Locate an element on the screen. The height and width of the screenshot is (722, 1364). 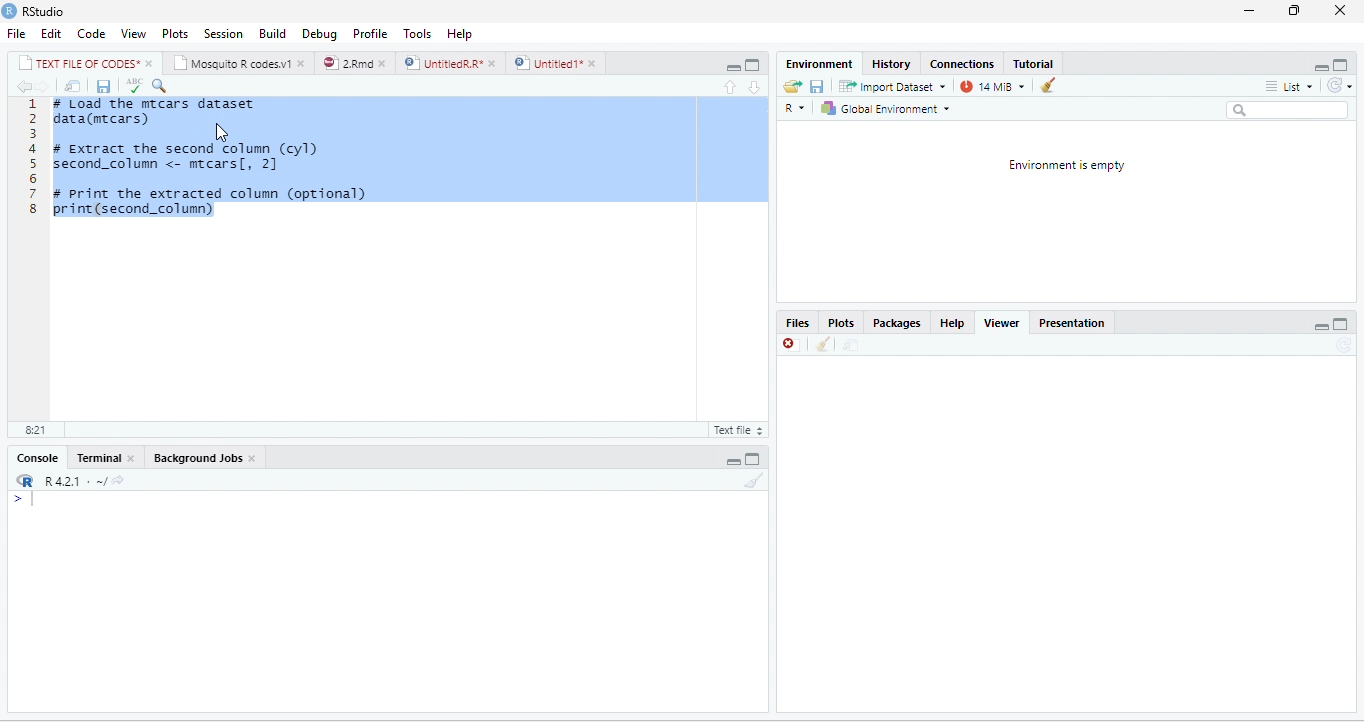
downward is located at coordinates (755, 87).